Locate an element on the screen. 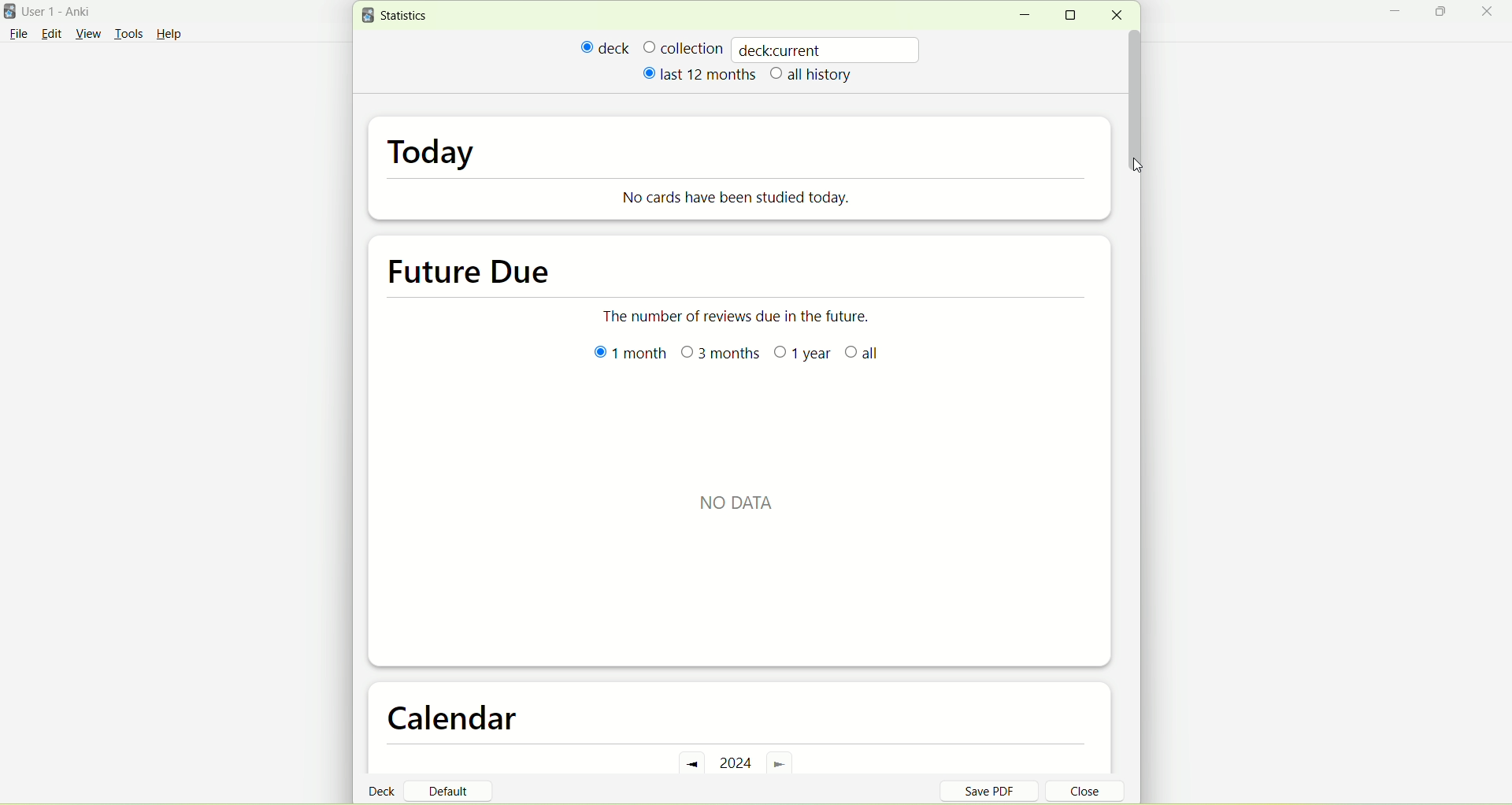 This screenshot has width=1512, height=805. all is located at coordinates (862, 354).